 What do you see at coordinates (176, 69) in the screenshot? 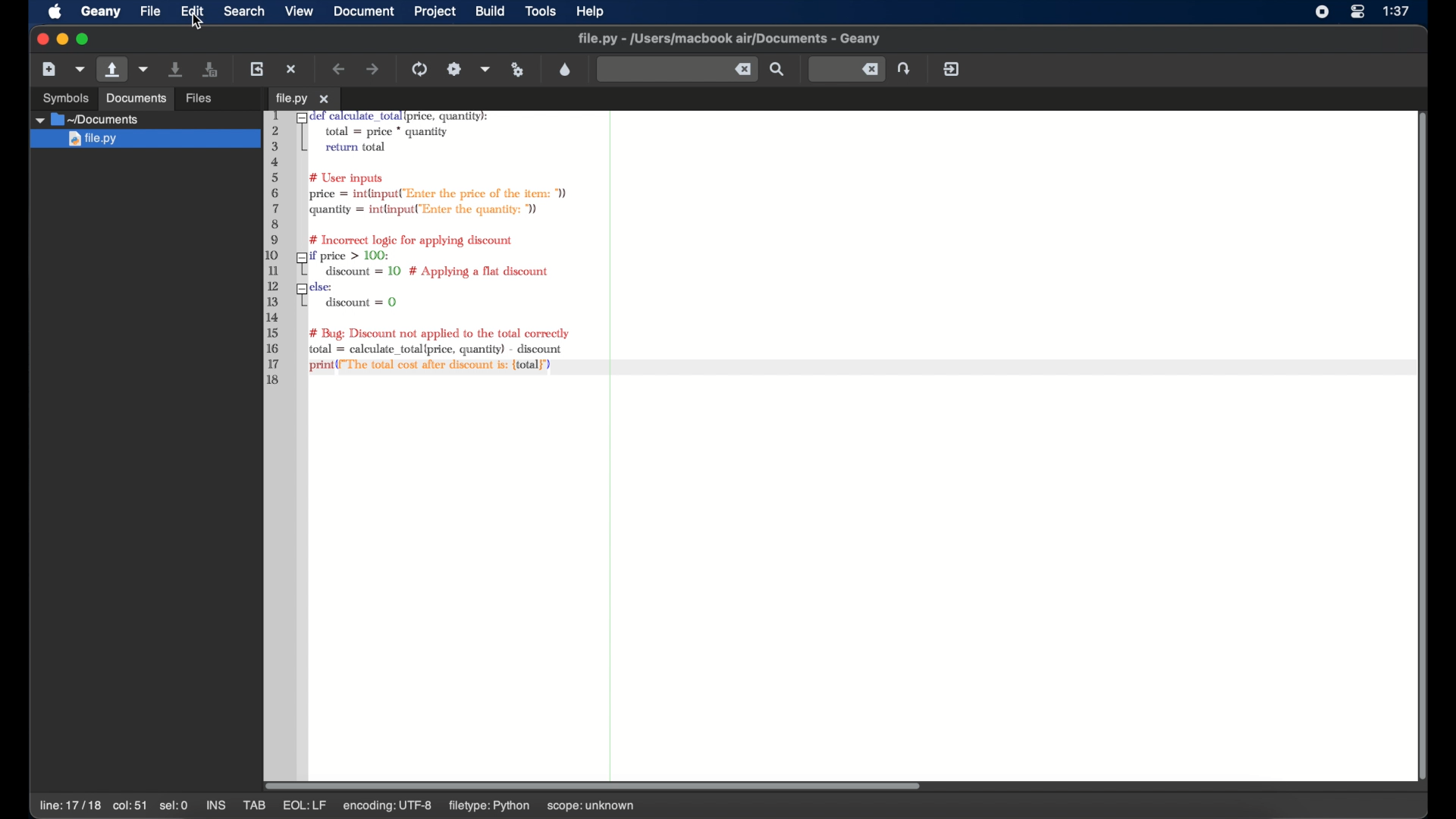
I see `save current file` at bounding box center [176, 69].